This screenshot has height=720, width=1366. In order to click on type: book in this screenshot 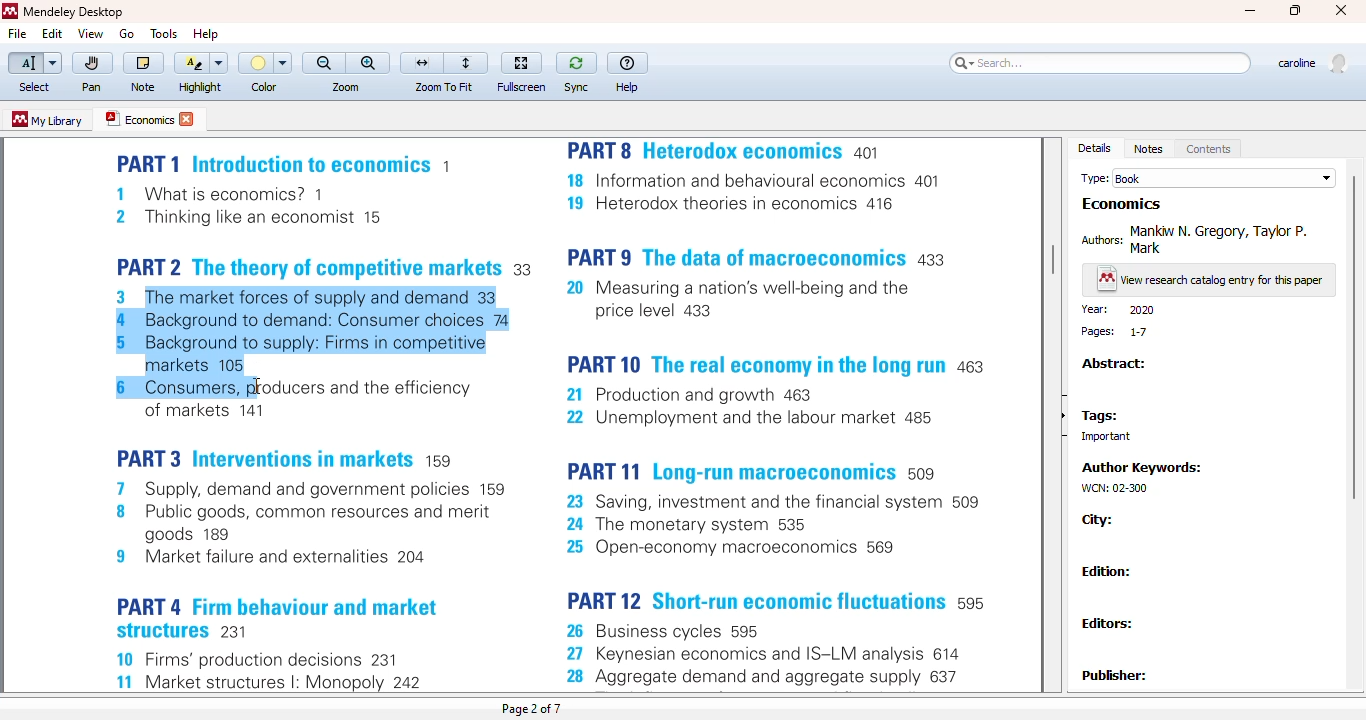, I will do `click(1208, 178)`.